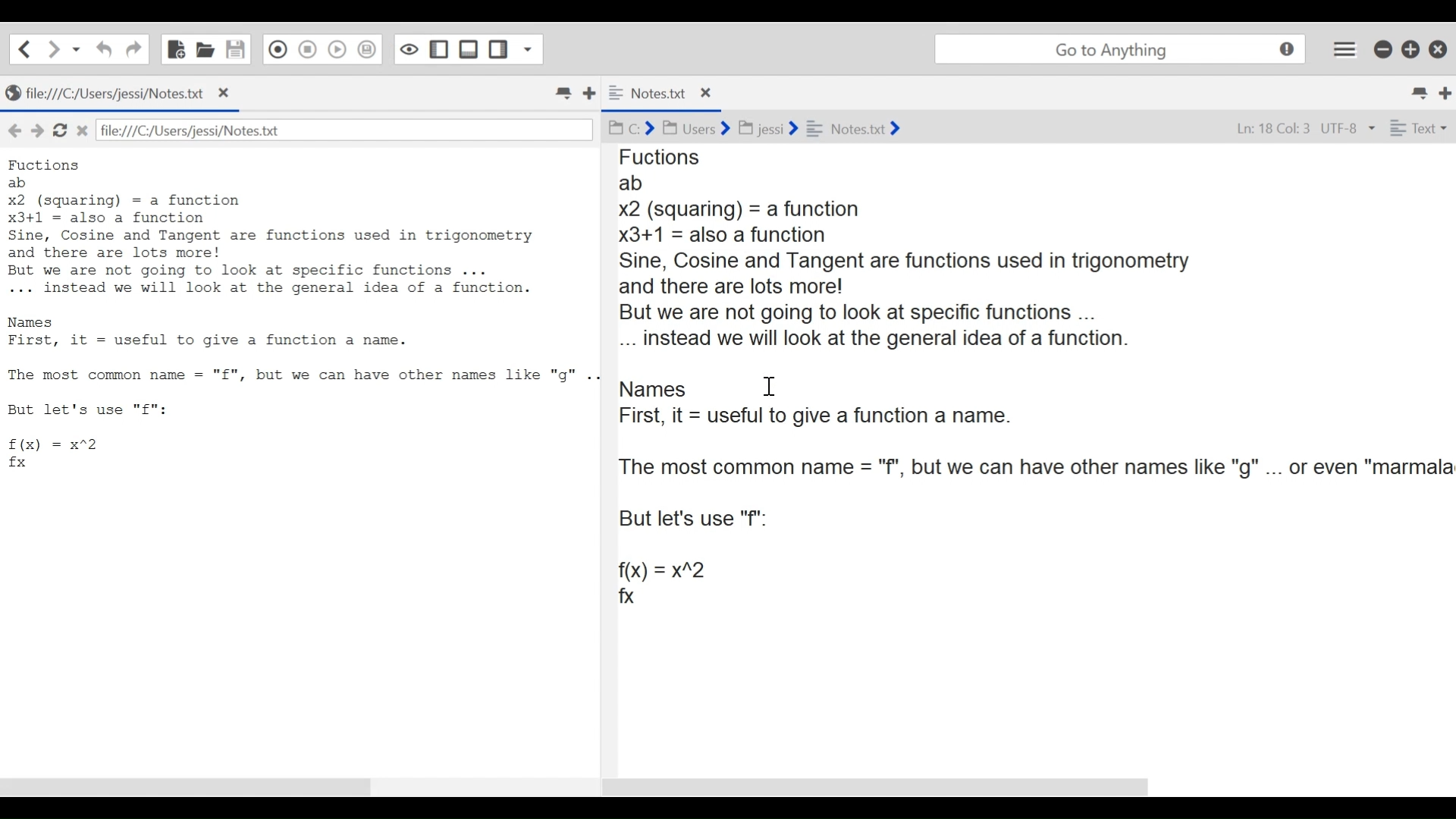  Describe the element at coordinates (12, 127) in the screenshot. I see `backward` at that location.